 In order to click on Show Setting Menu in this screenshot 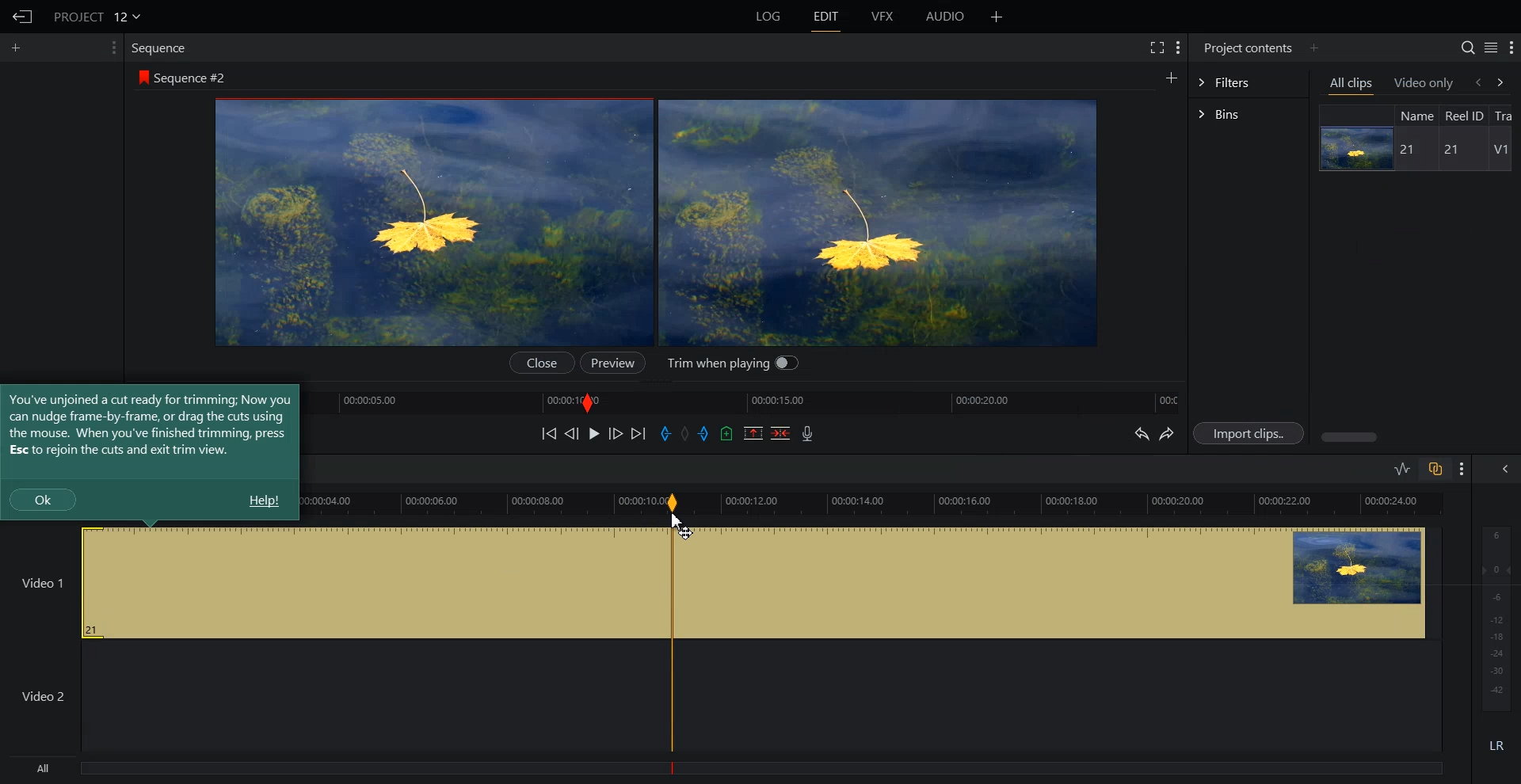, I will do `click(1511, 48)`.